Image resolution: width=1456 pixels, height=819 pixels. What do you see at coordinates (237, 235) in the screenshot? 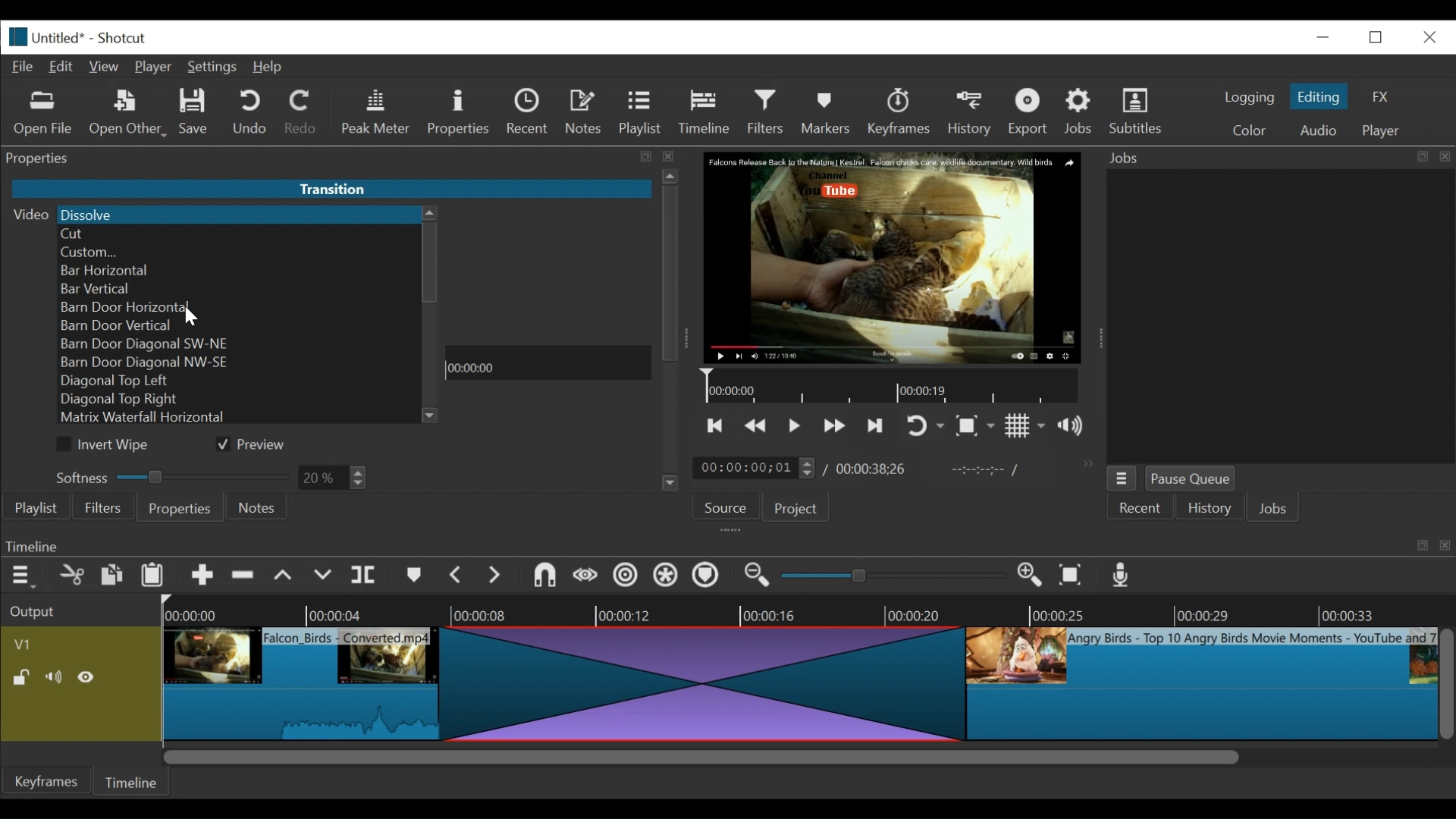
I see `Cut` at bounding box center [237, 235].